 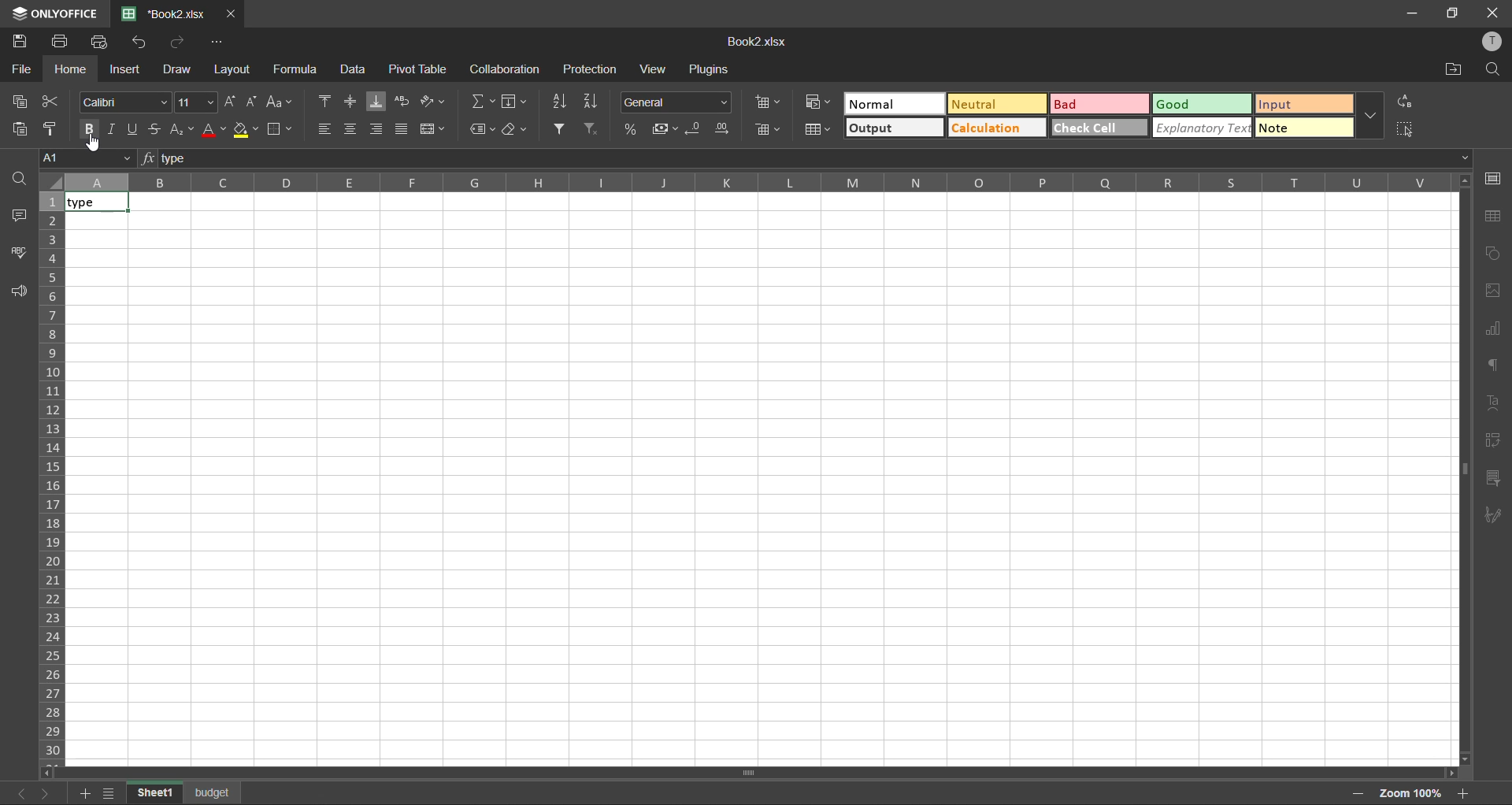 What do you see at coordinates (515, 102) in the screenshot?
I see `fields` at bounding box center [515, 102].